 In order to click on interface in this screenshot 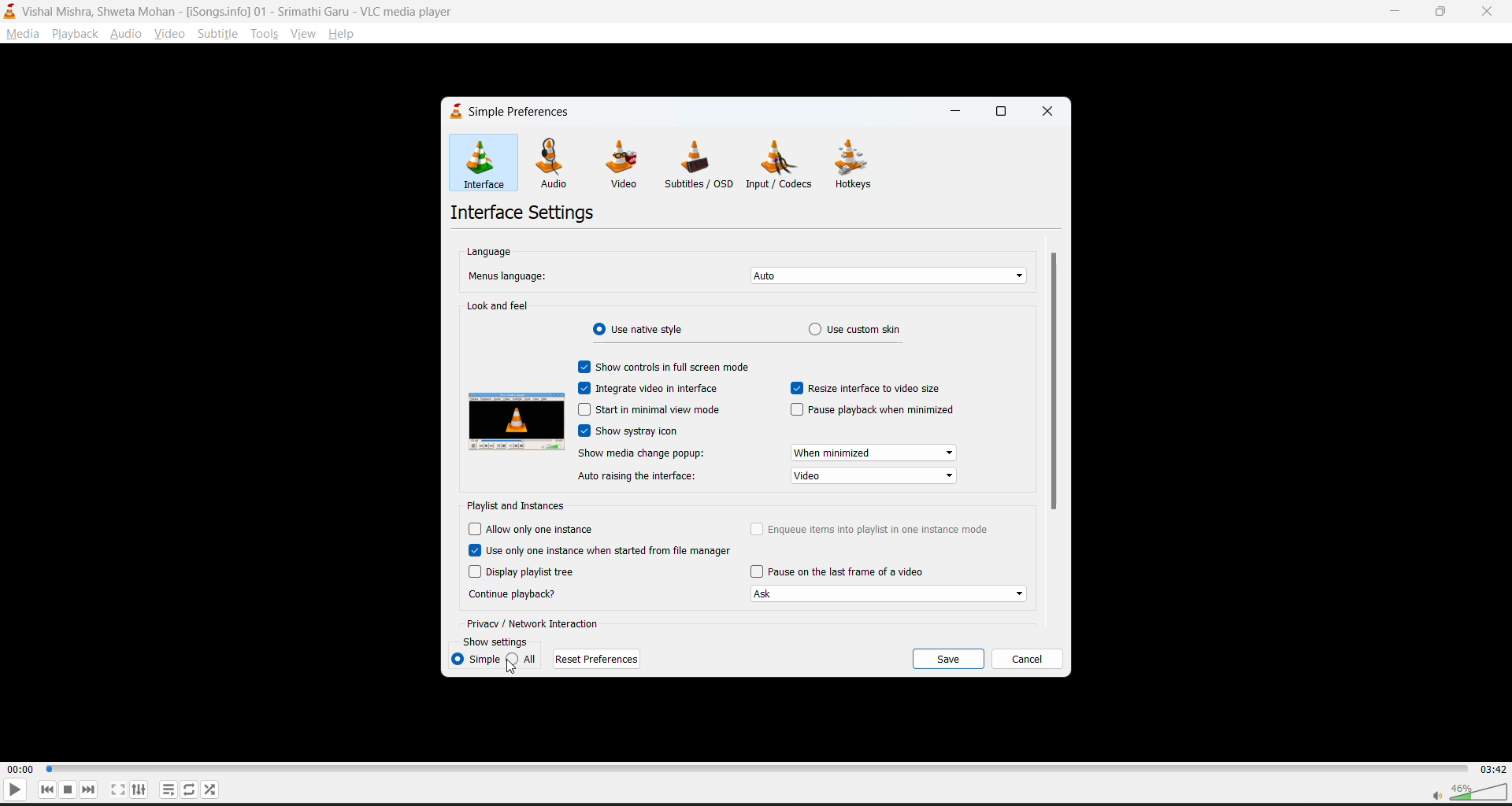, I will do `click(485, 164)`.